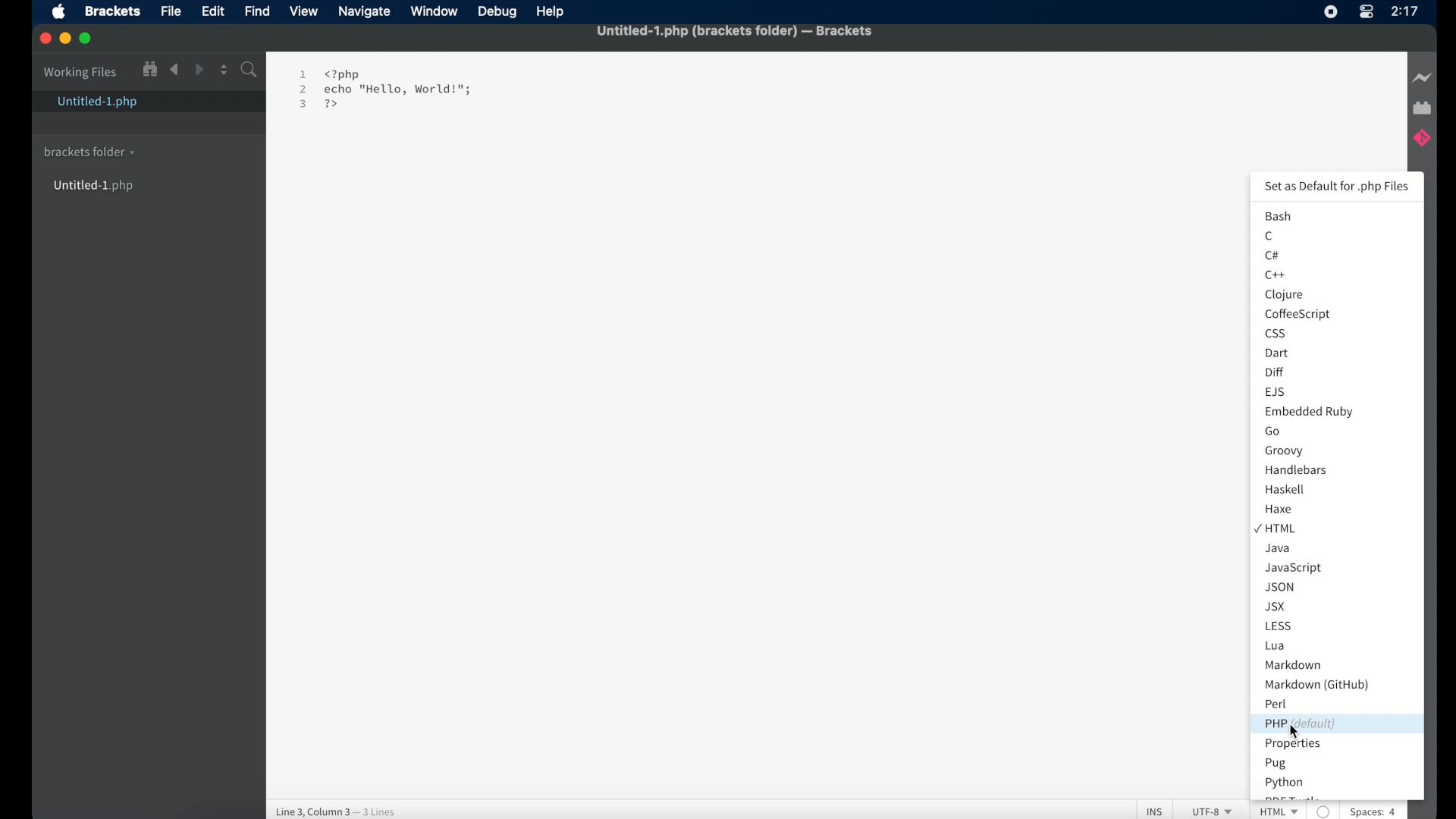 This screenshot has width=1456, height=819. What do you see at coordinates (65, 39) in the screenshot?
I see `minimize` at bounding box center [65, 39].